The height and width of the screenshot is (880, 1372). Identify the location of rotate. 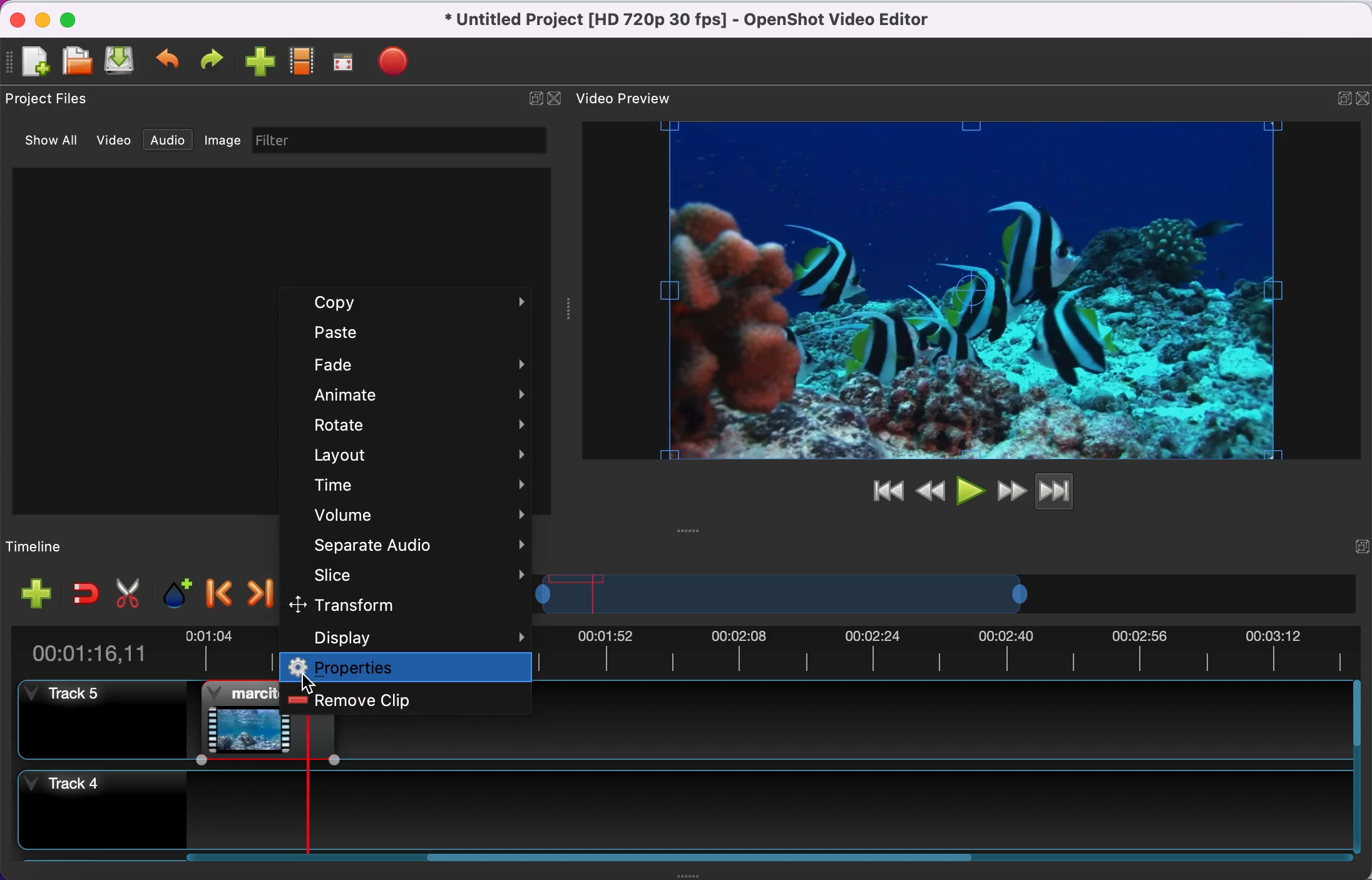
(420, 424).